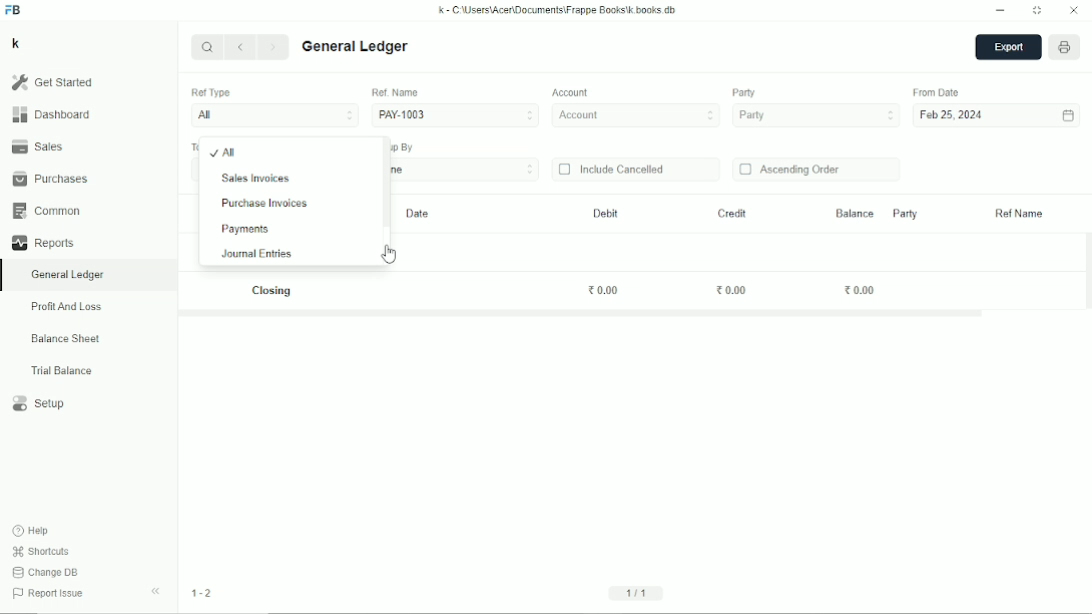 Image resolution: width=1092 pixels, height=614 pixels. I want to click on Get started, so click(52, 82).